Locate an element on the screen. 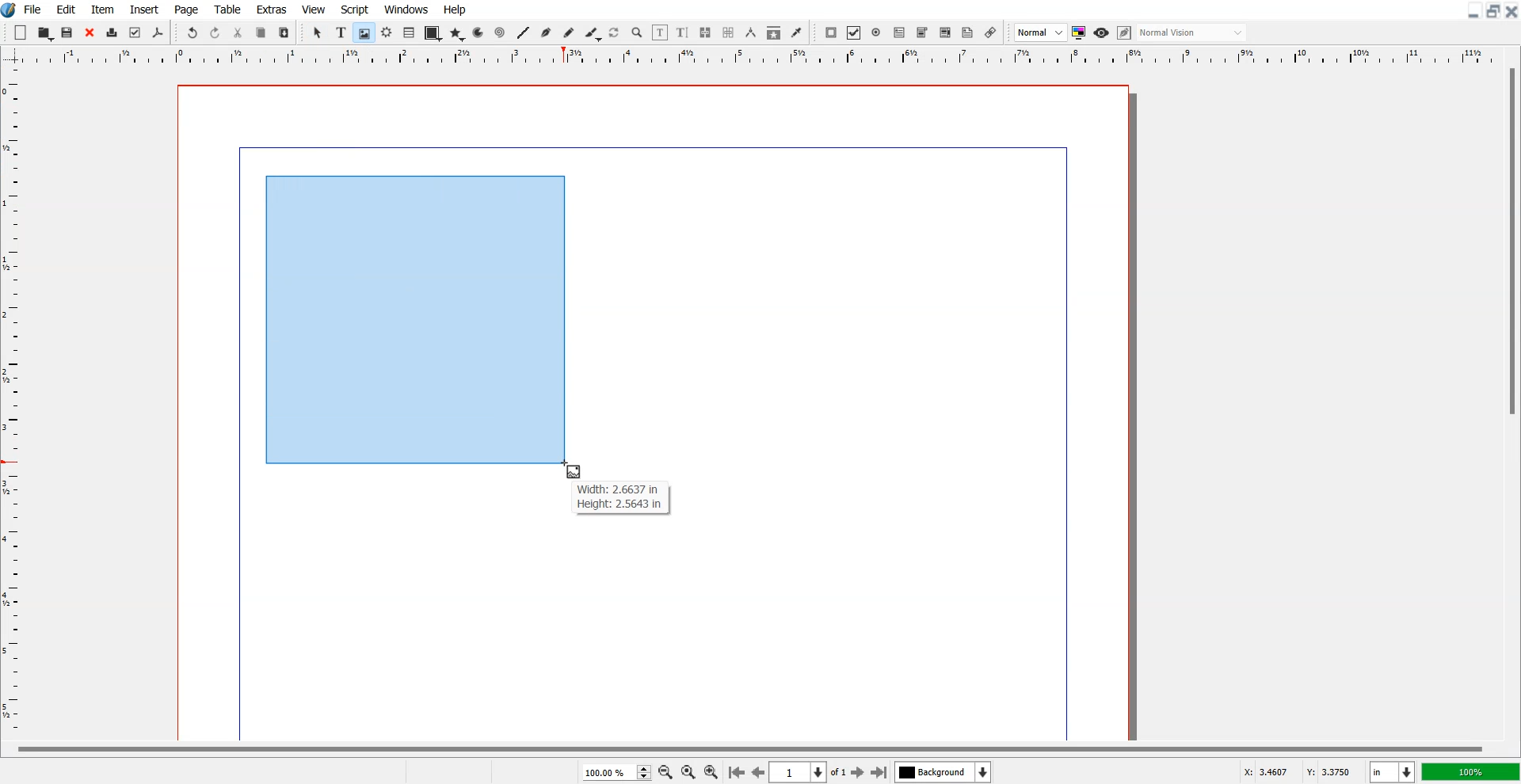 The width and height of the screenshot is (1521, 784). Go to Previous page is located at coordinates (757, 772).